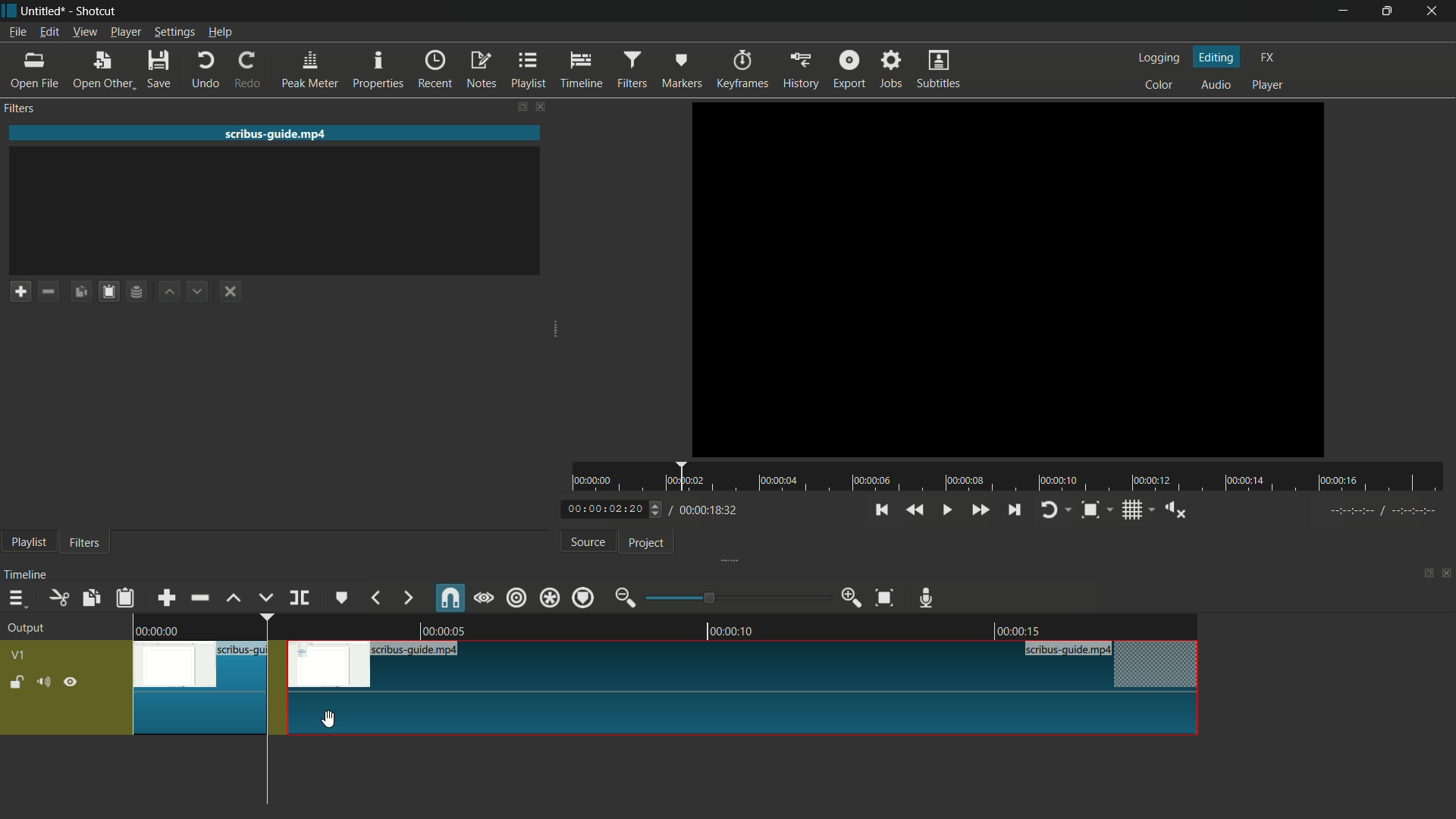 The width and height of the screenshot is (1456, 819). I want to click on subtitles, so click(938, 68).